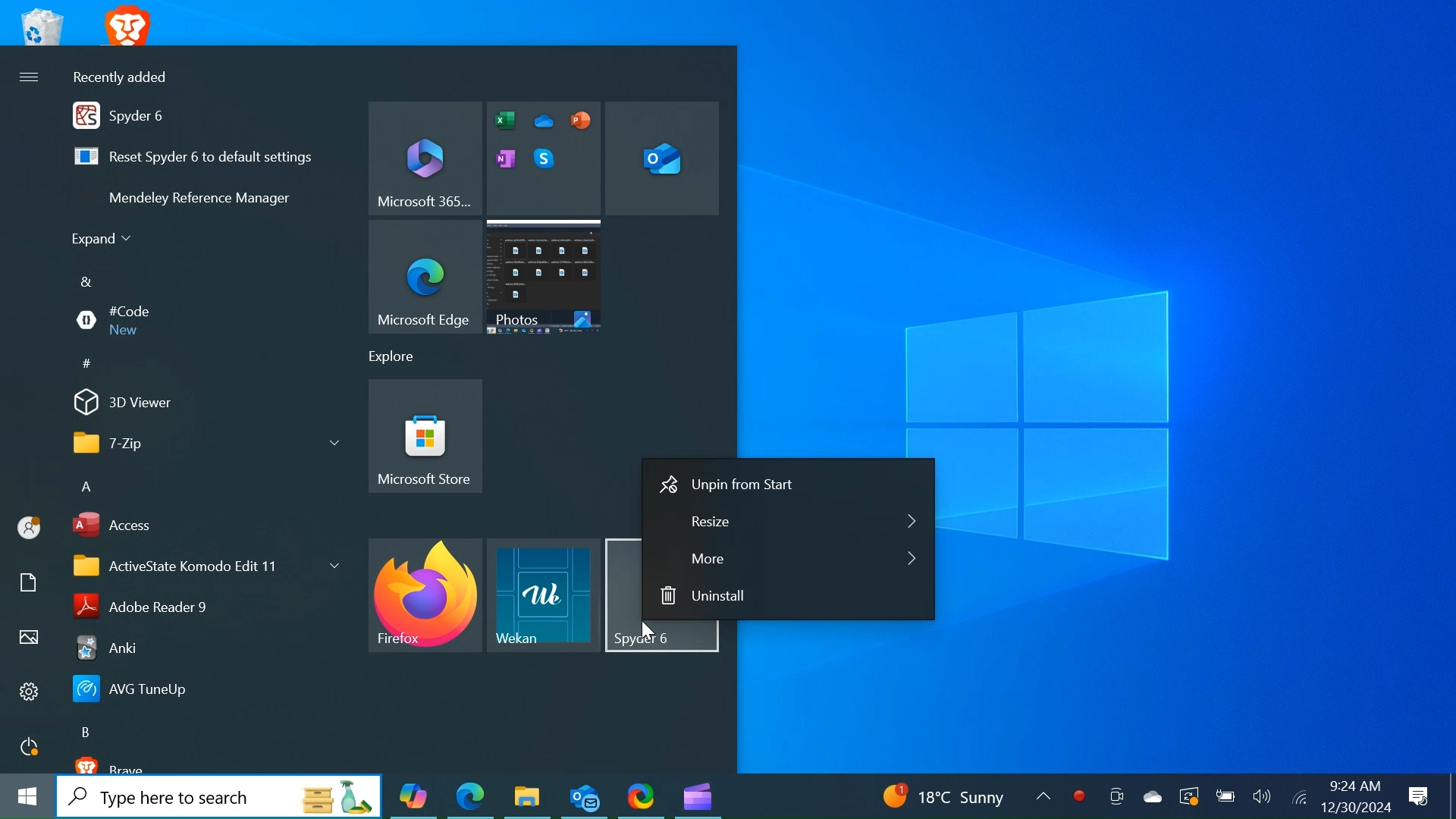 This screenshot has height=819, width=1456. I want to click on Photos, so click(547, 278).